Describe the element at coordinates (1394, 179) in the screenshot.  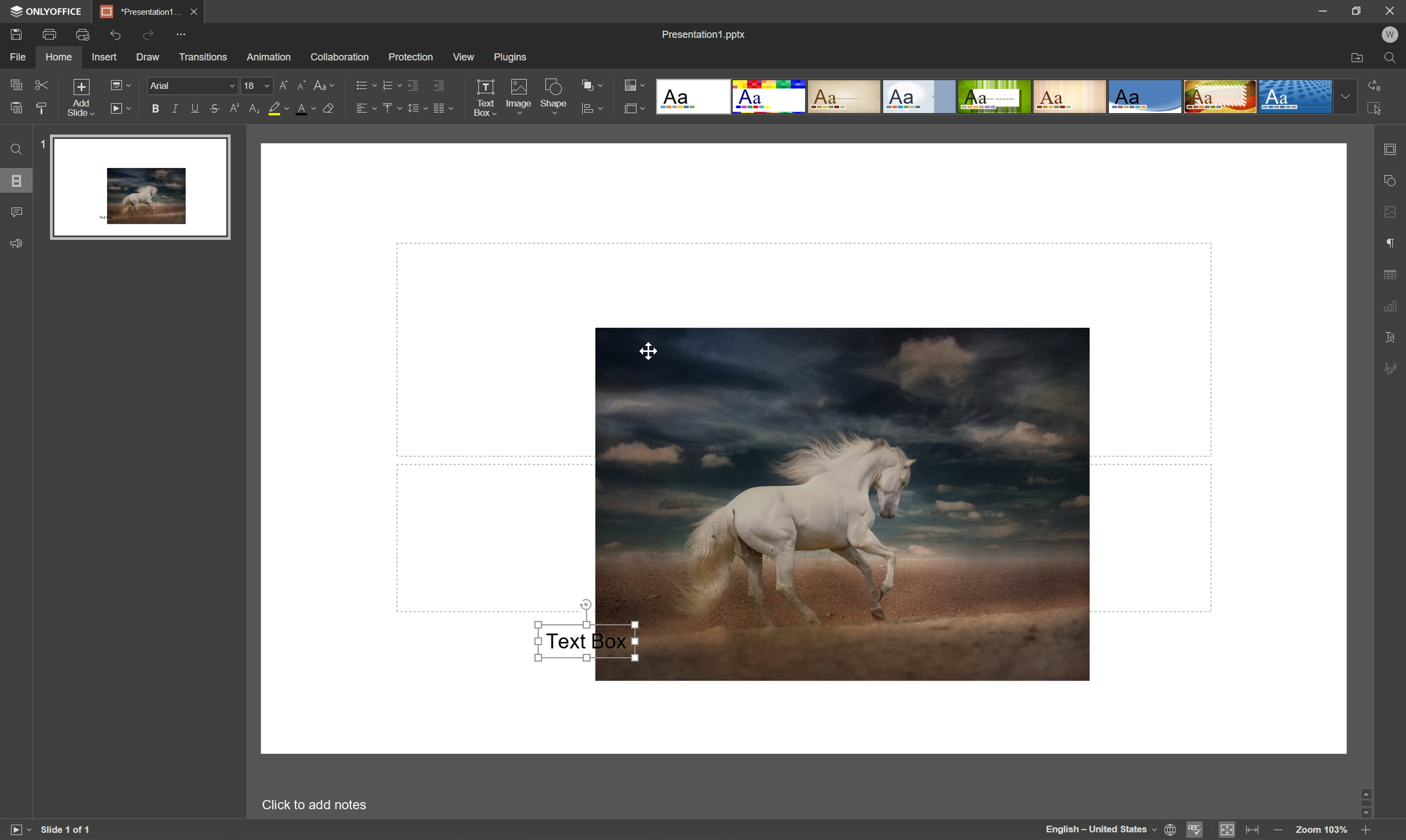
I see `Shape settings` at that location.